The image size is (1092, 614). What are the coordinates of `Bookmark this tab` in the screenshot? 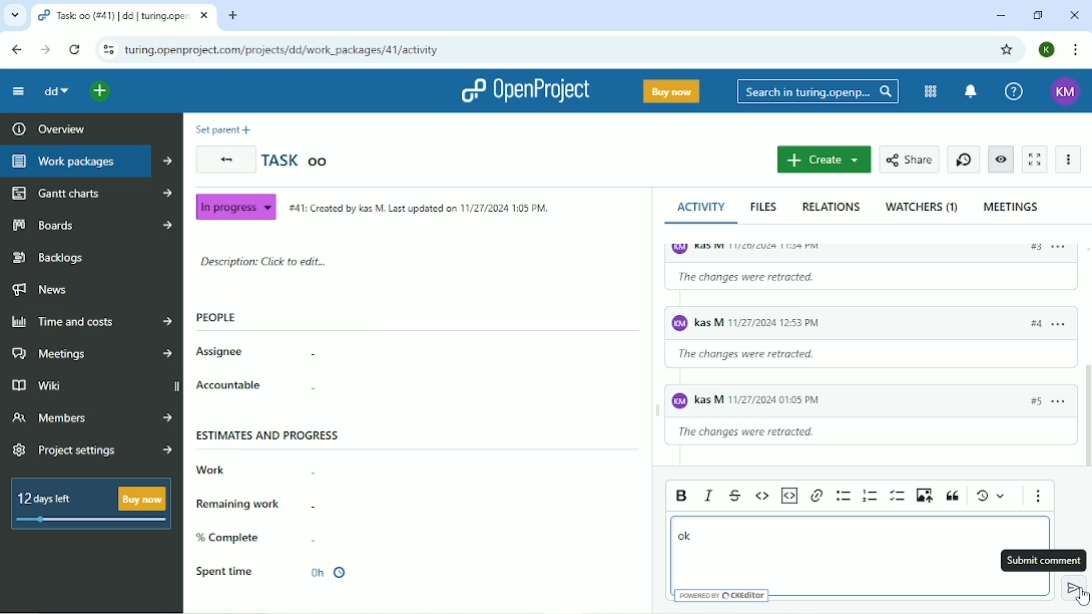 It's located at (1007, 48).